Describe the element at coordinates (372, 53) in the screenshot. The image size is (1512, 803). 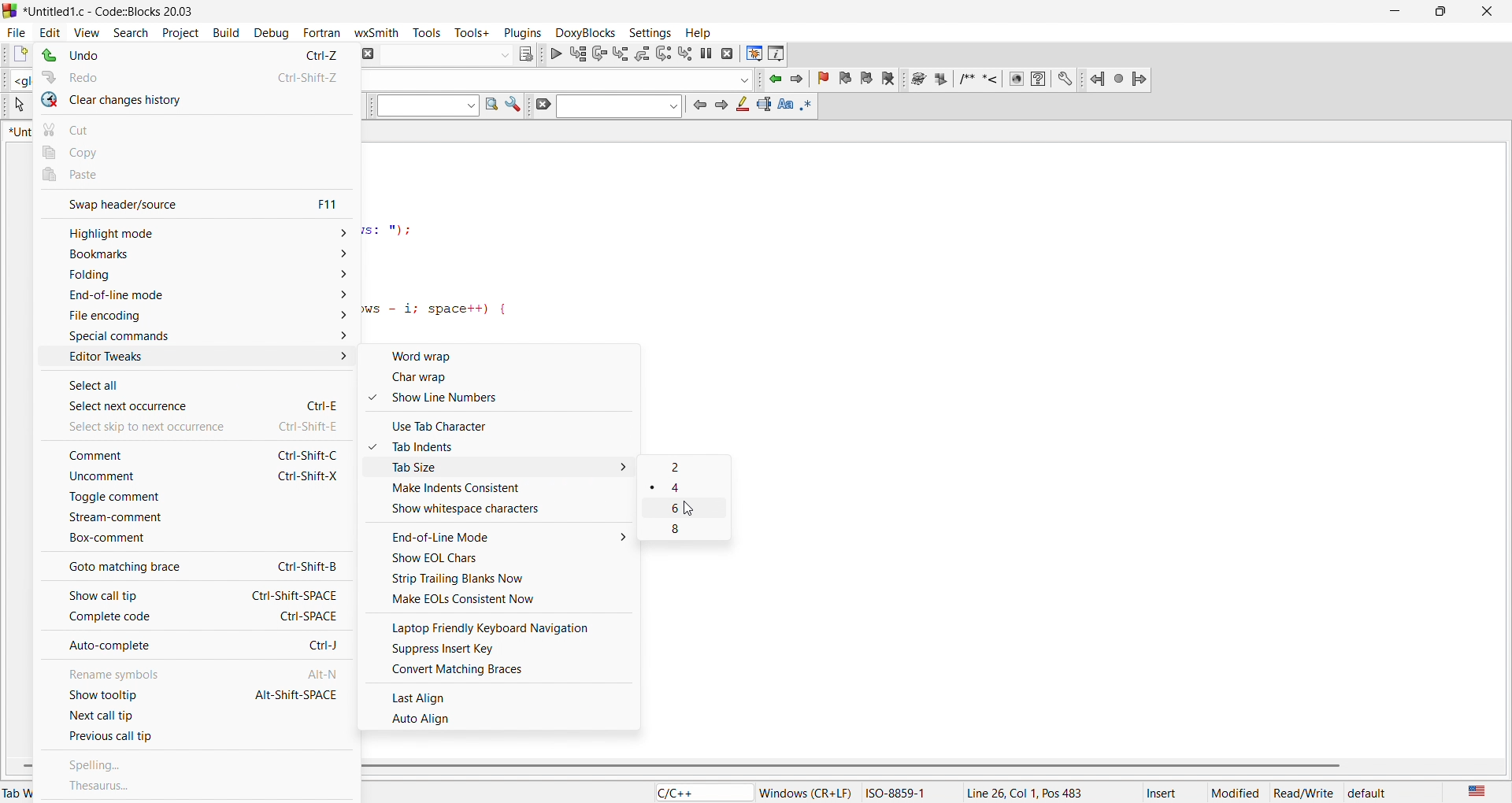
I see `abort` at that location.